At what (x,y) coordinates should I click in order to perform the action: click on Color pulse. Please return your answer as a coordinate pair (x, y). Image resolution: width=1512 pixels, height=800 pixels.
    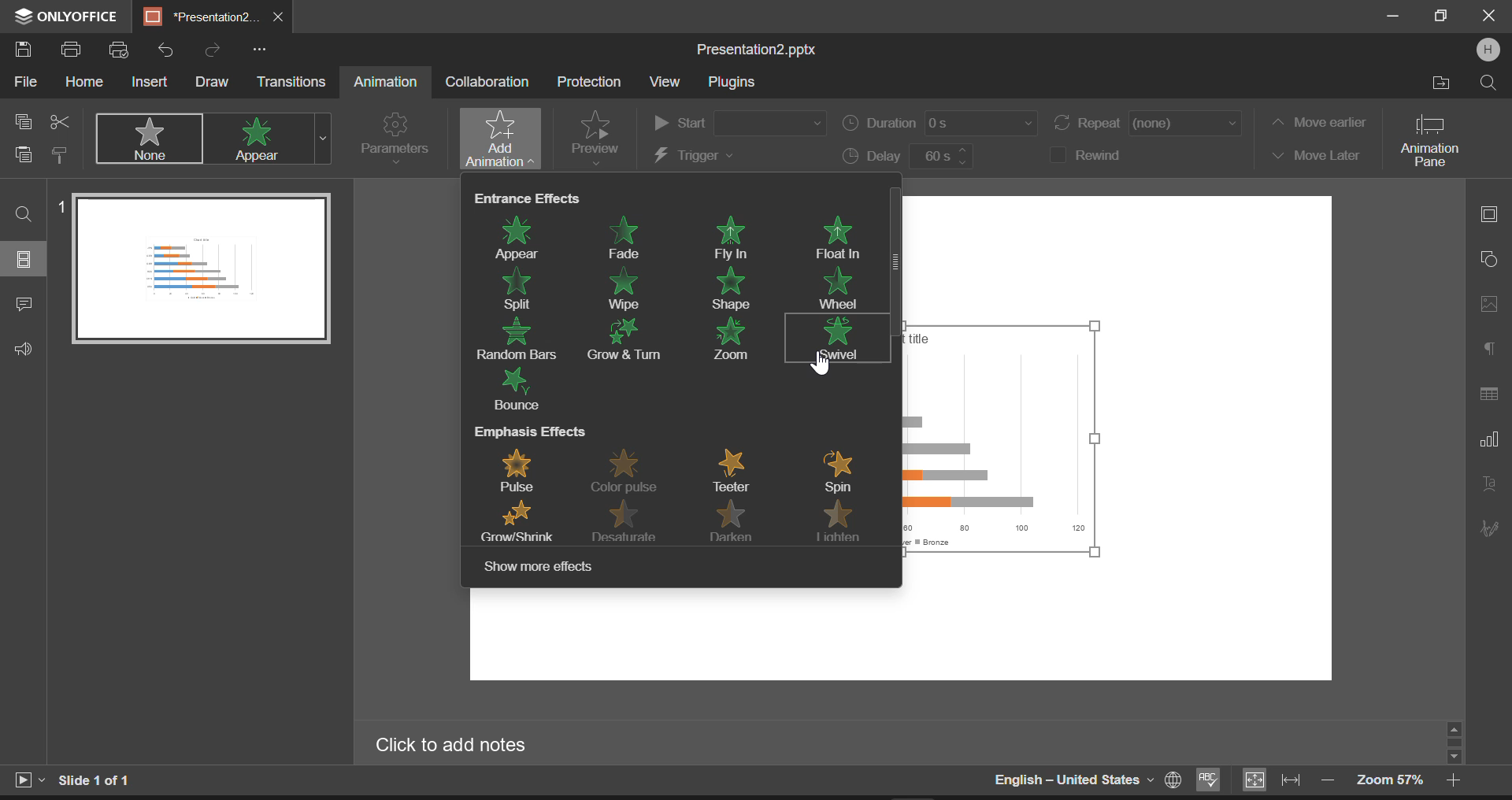
    Looking at the image, I should click on (632, 471).